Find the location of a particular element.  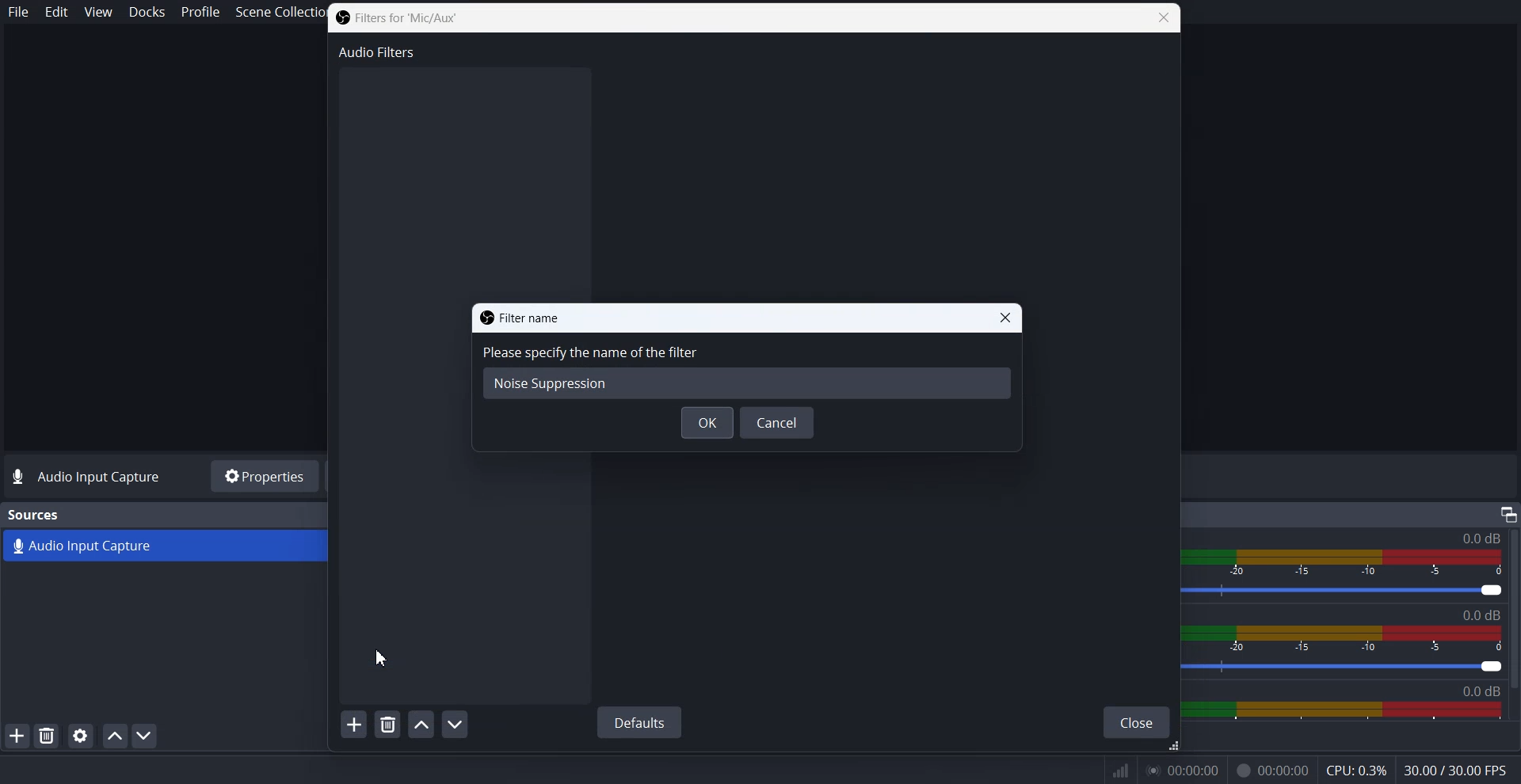

Scene Collection is located at coordinates (273, 13).